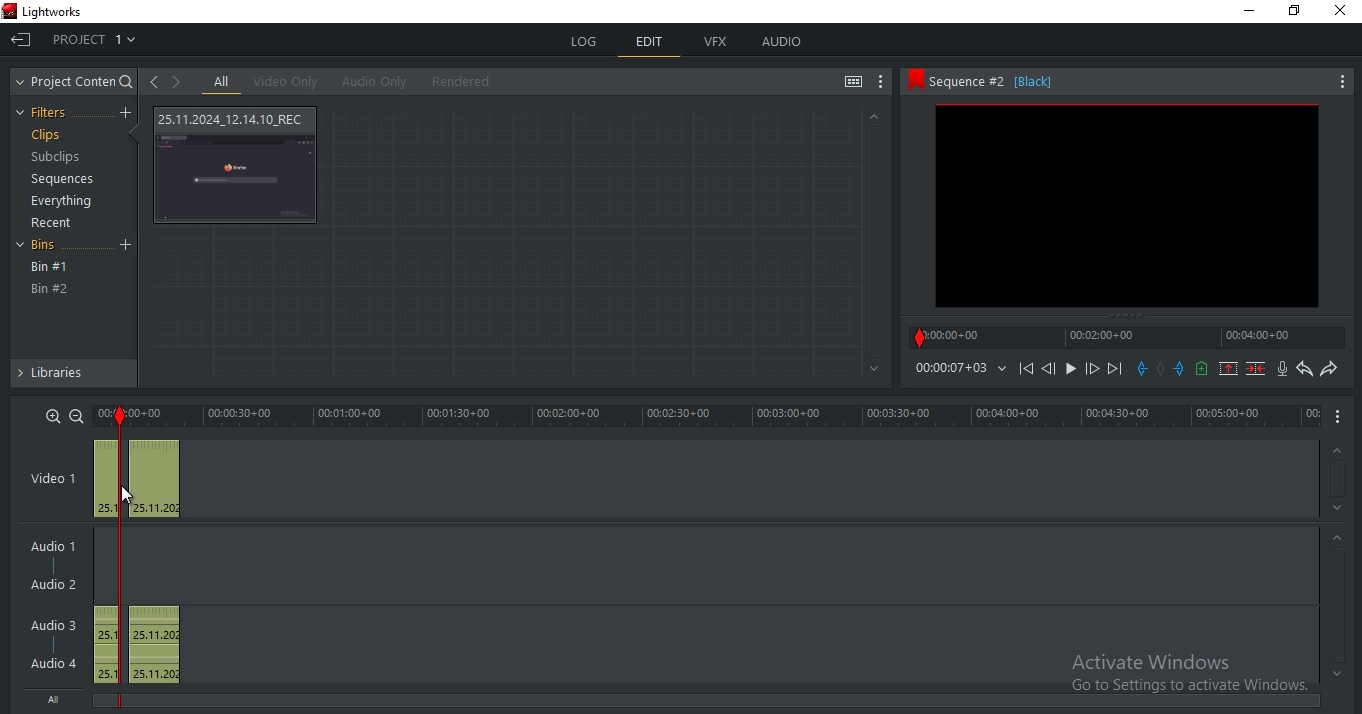  I want to click on audio only, so click(371, 82).